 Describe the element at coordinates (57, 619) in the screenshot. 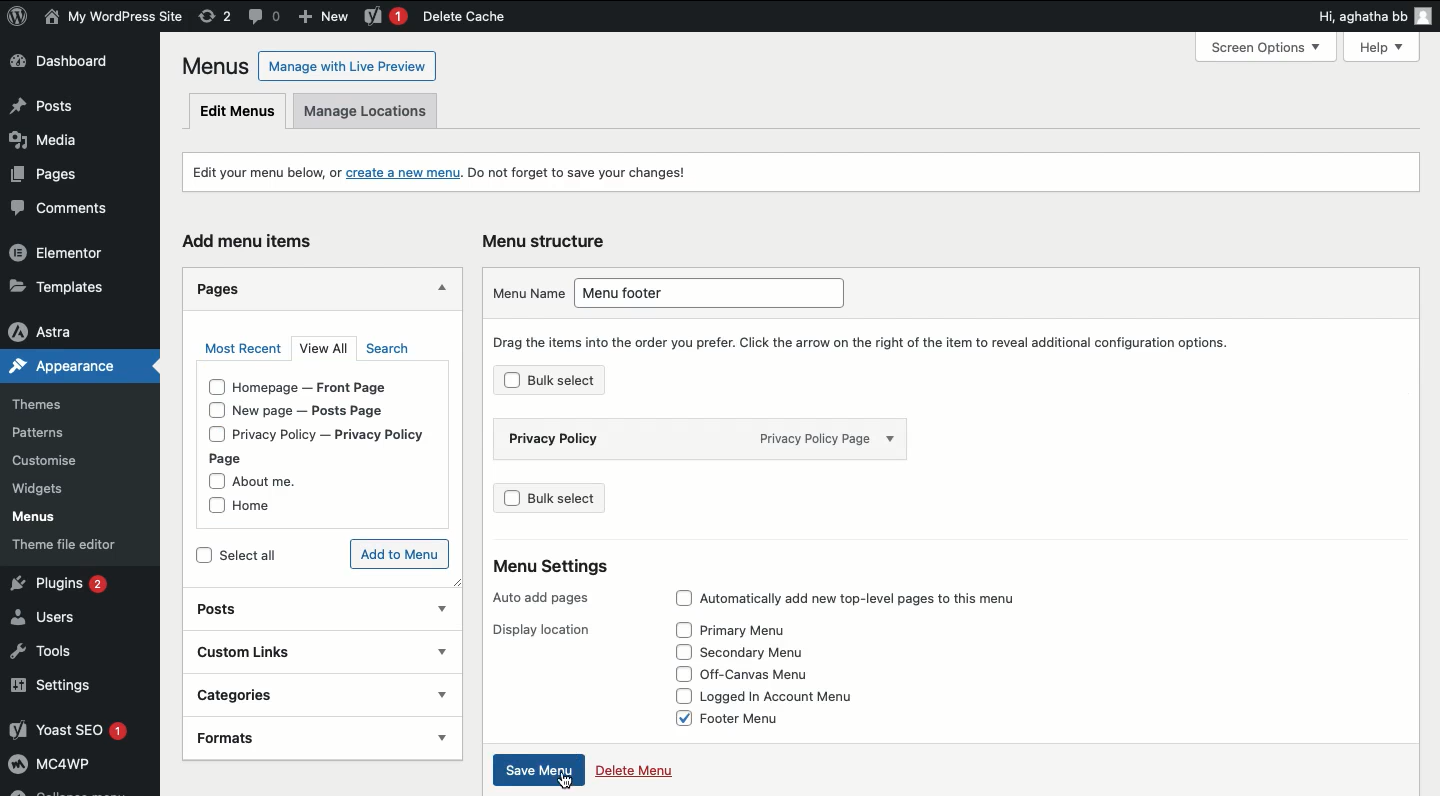

I see `Users` at that location.